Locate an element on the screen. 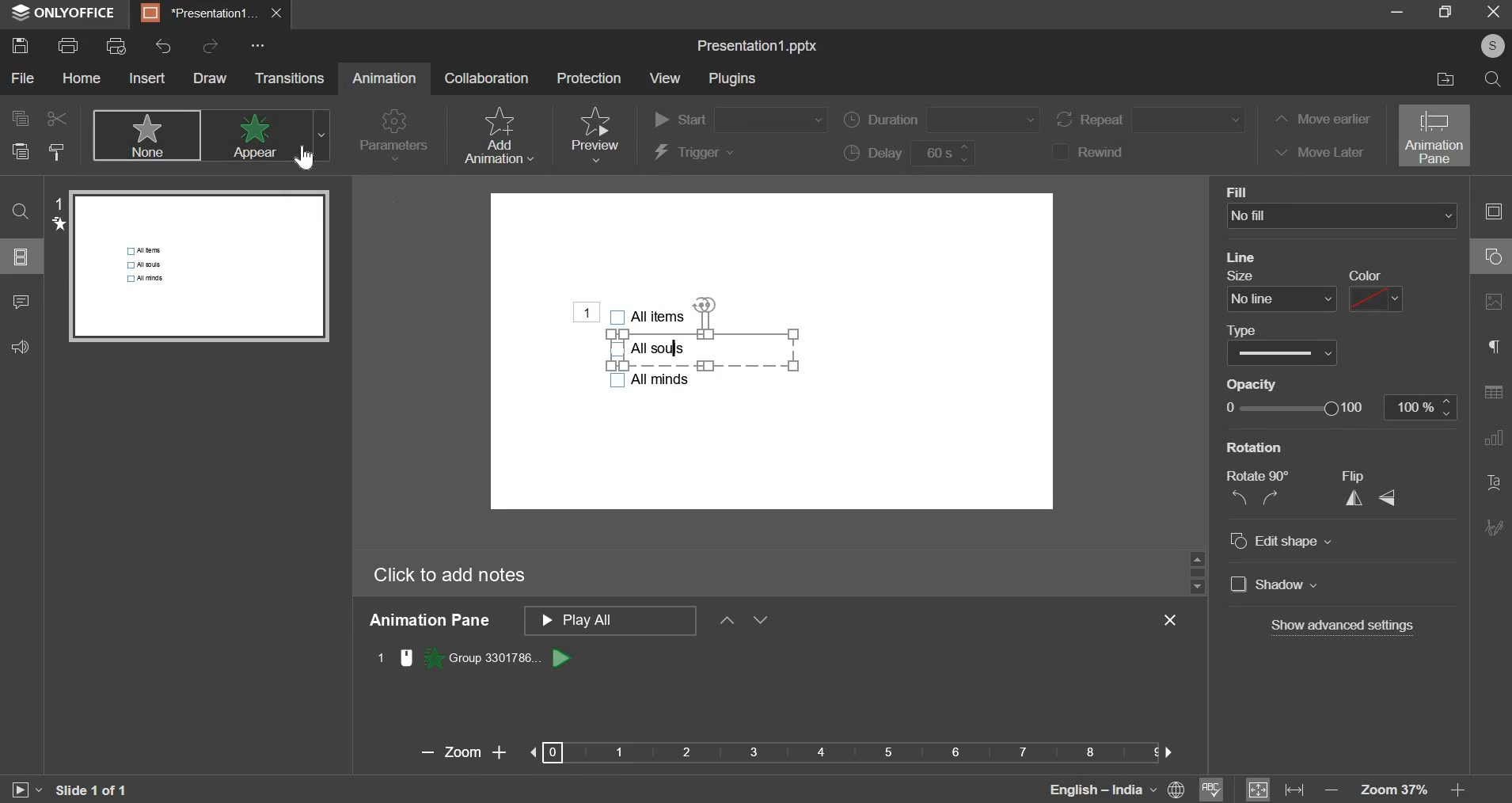 The width and height of the screenshot is (1512, 803). draw is located at coordinates (210, 78).